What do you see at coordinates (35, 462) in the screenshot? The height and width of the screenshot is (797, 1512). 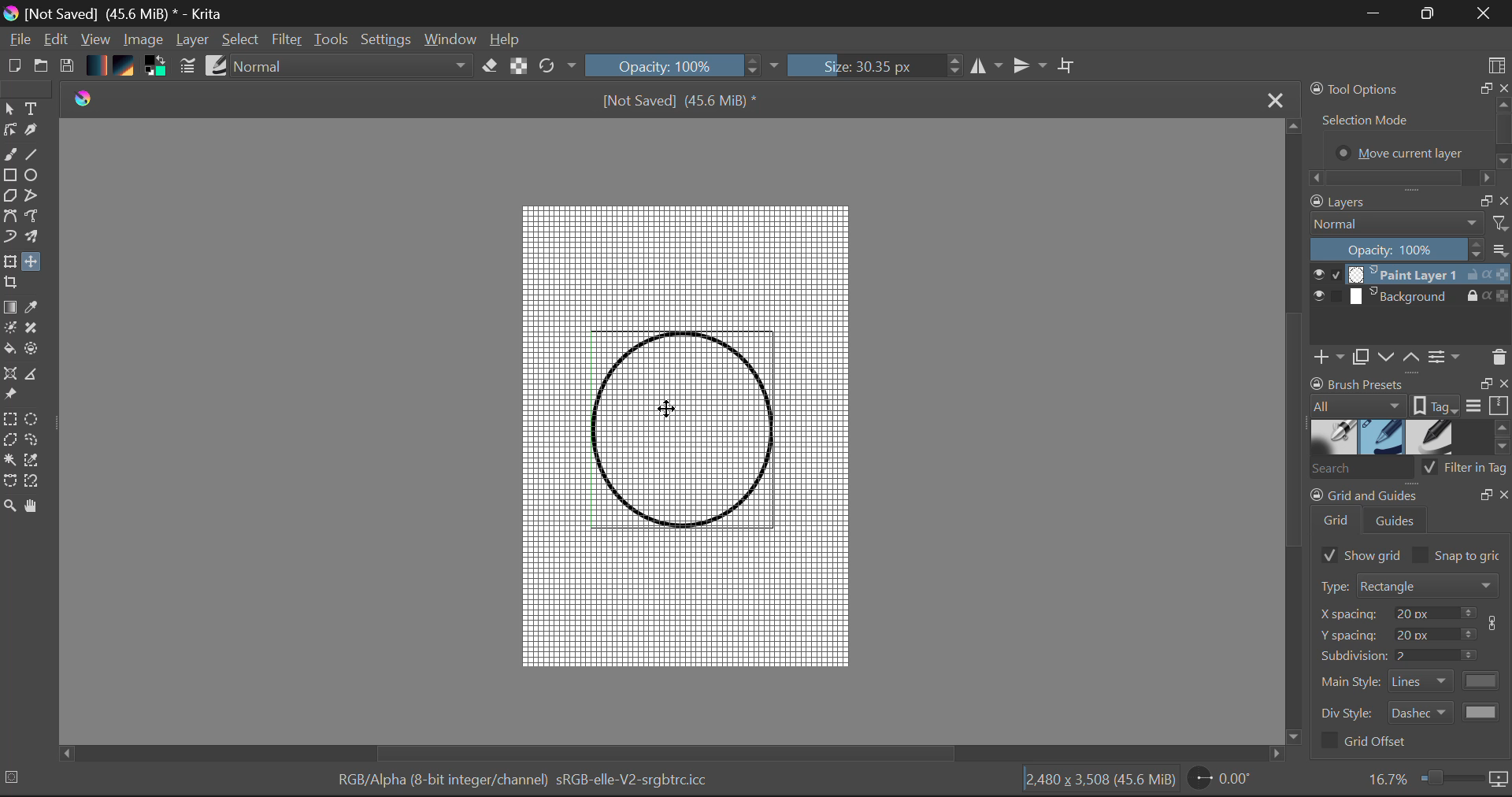 I see `Similar Color Selector` at bounding box center [35, 462].